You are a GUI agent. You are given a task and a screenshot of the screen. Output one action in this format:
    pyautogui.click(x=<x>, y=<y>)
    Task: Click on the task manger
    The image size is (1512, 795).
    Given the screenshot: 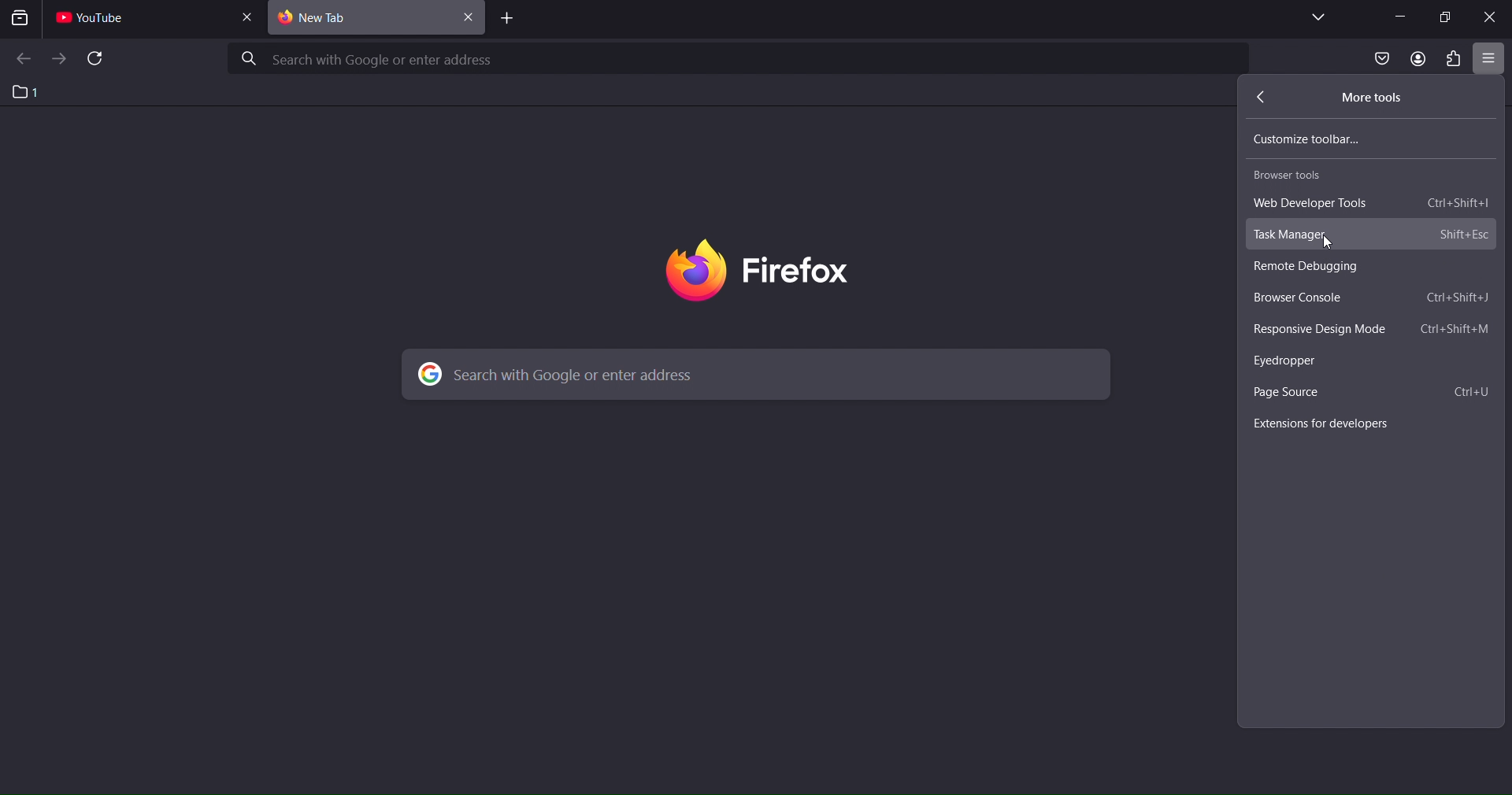 What is the action you would take?
    pyautogui.click(x=1294, y=235)
    